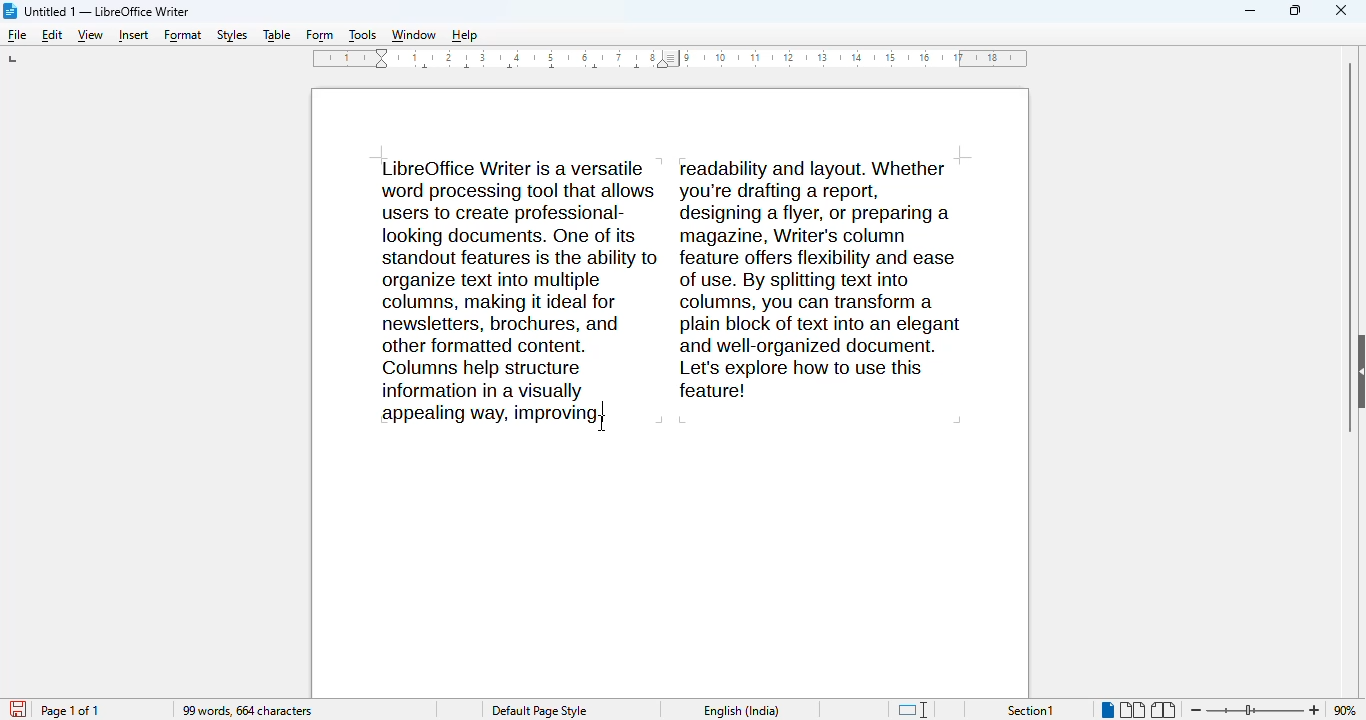  I want to click on zoom factor, so click(1346, 710).